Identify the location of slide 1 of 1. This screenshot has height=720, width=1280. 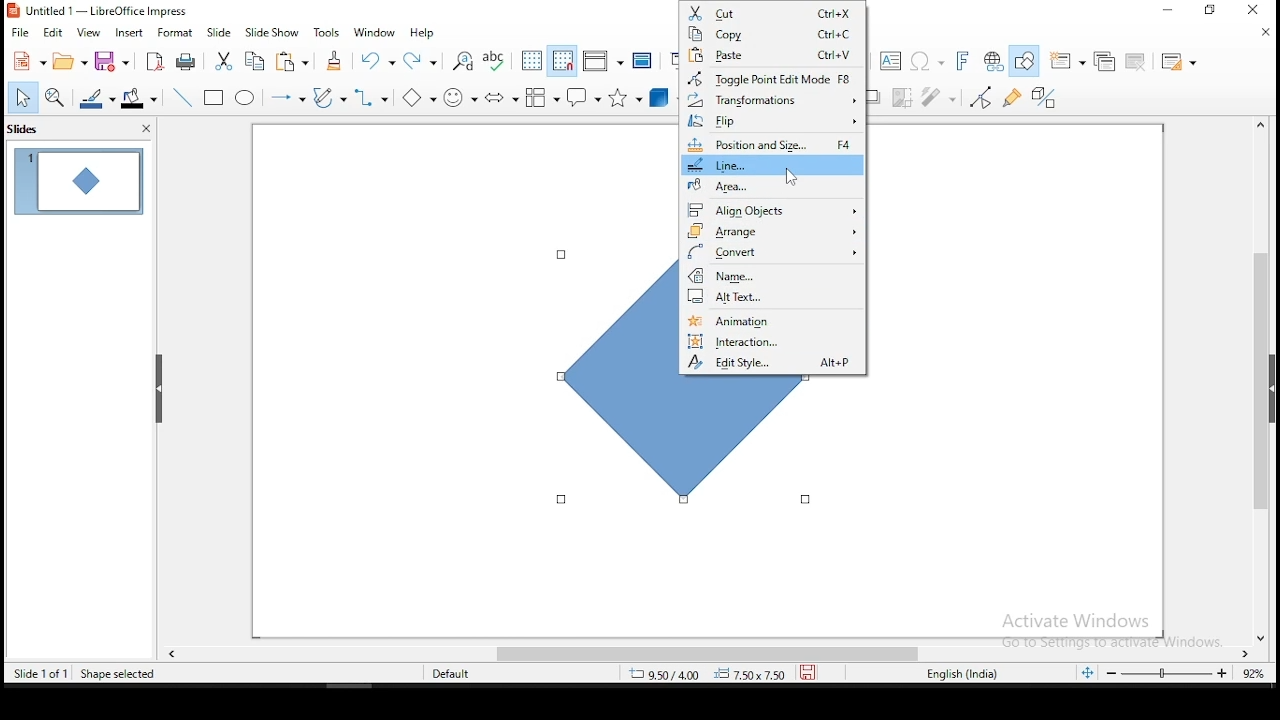
(41, 670).